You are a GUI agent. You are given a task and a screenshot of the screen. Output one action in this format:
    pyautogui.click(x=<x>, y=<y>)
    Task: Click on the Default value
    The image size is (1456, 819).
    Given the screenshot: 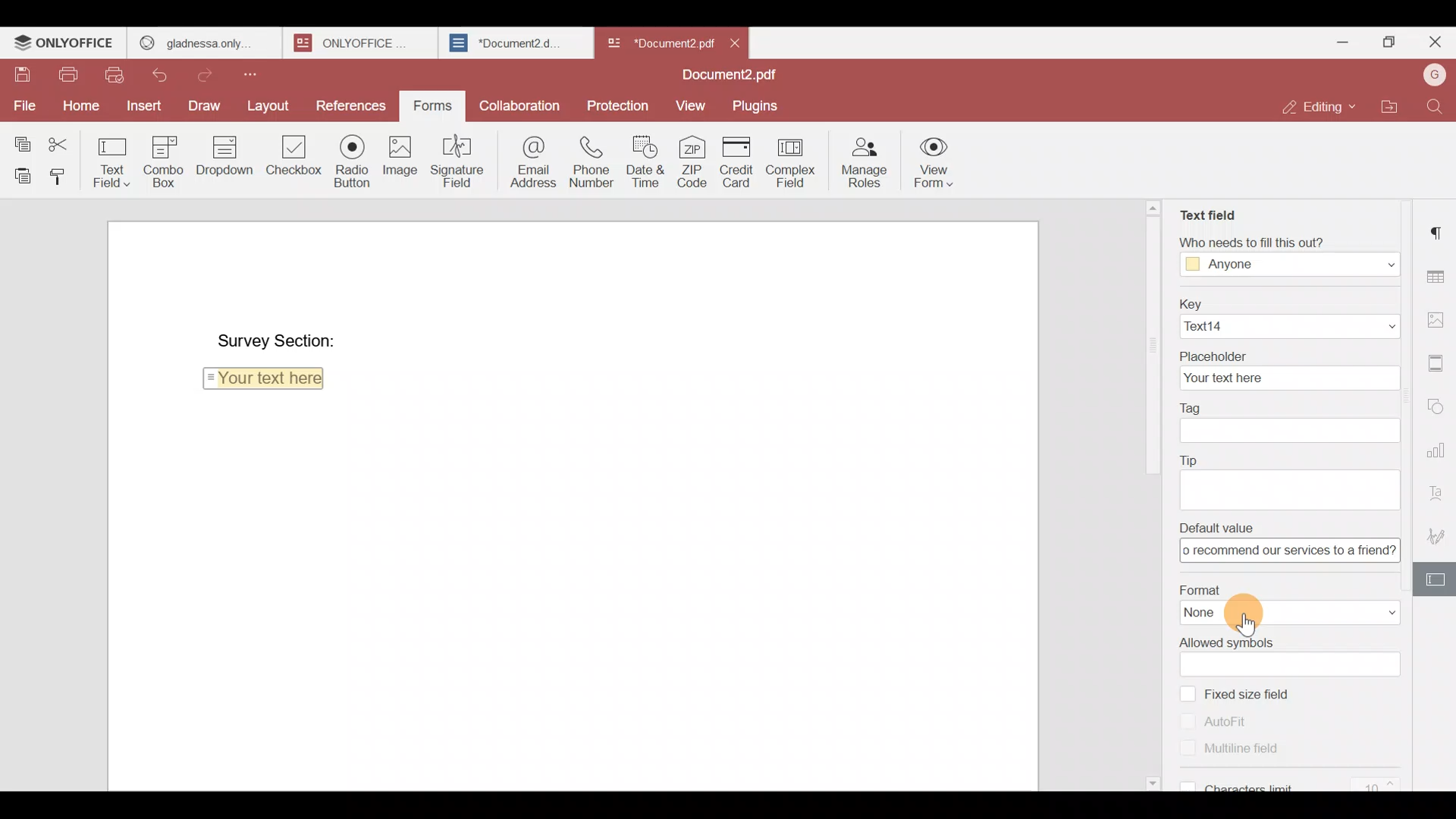 What is the action you would take?
    pyautogui.click(x=1292, y=527)
    